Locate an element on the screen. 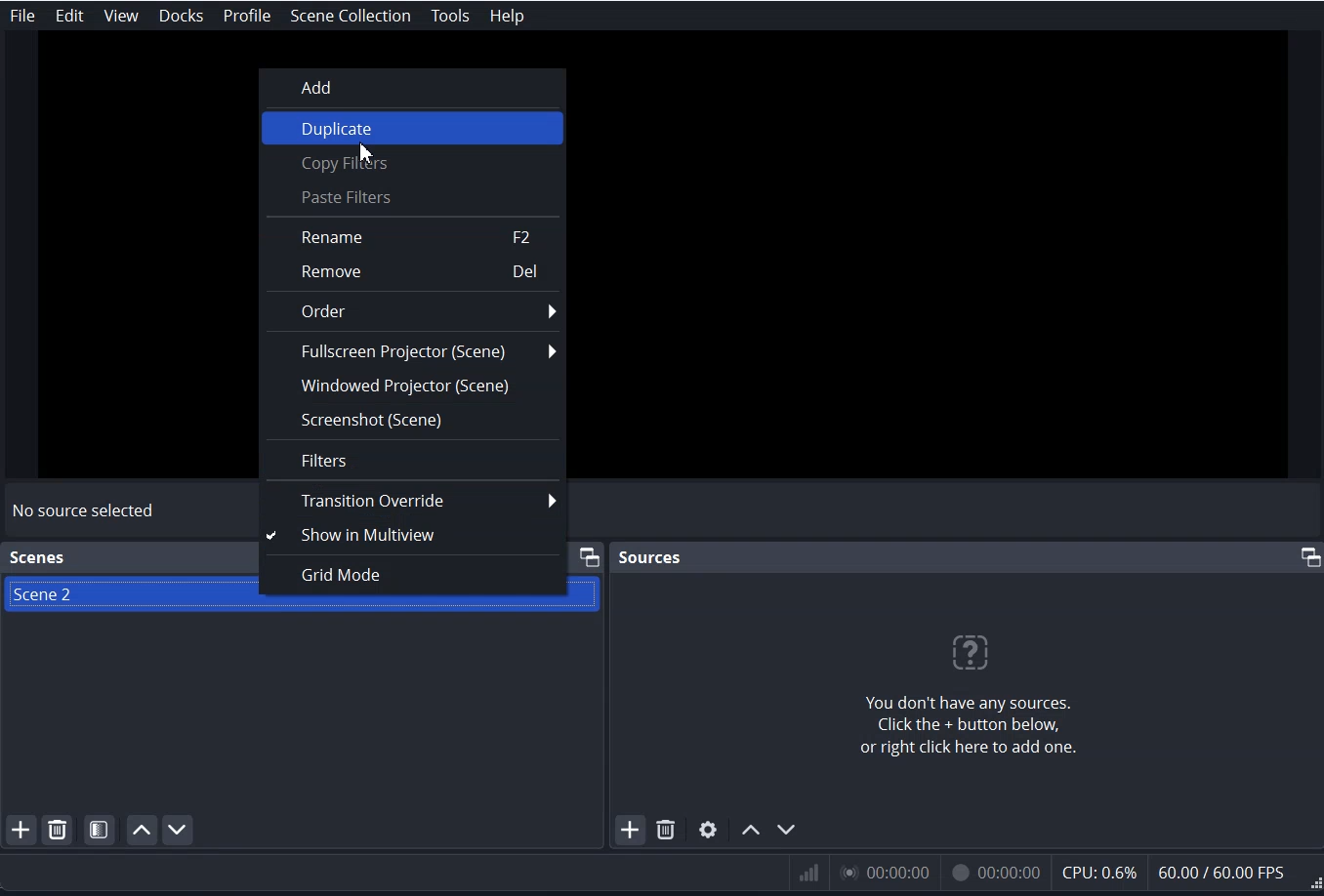 The width and height of the screenshot is (1324, 896). Rename is located at coordinates (413, 237).